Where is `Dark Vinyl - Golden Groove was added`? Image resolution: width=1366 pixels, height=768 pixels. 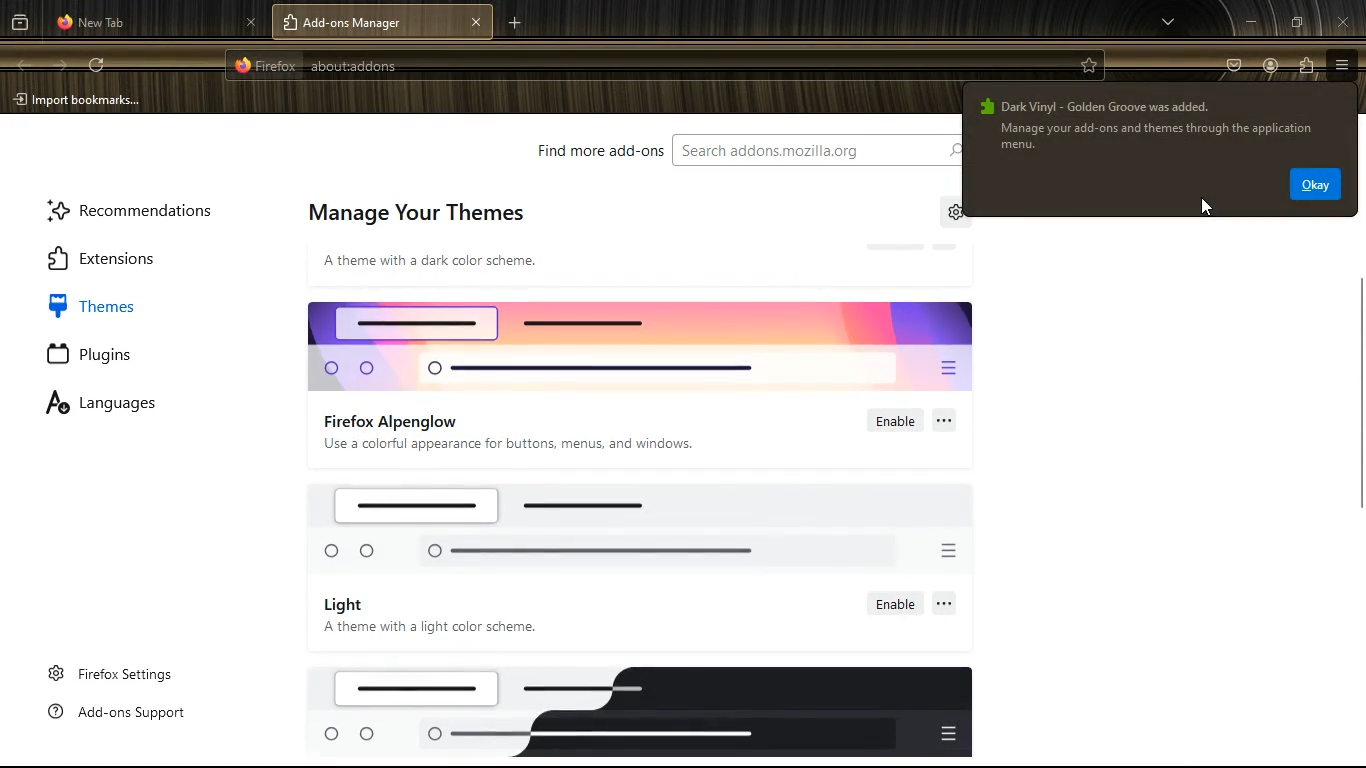
Dark Vinyl - Golden Groove was added is located at coordinates (1093, 105).